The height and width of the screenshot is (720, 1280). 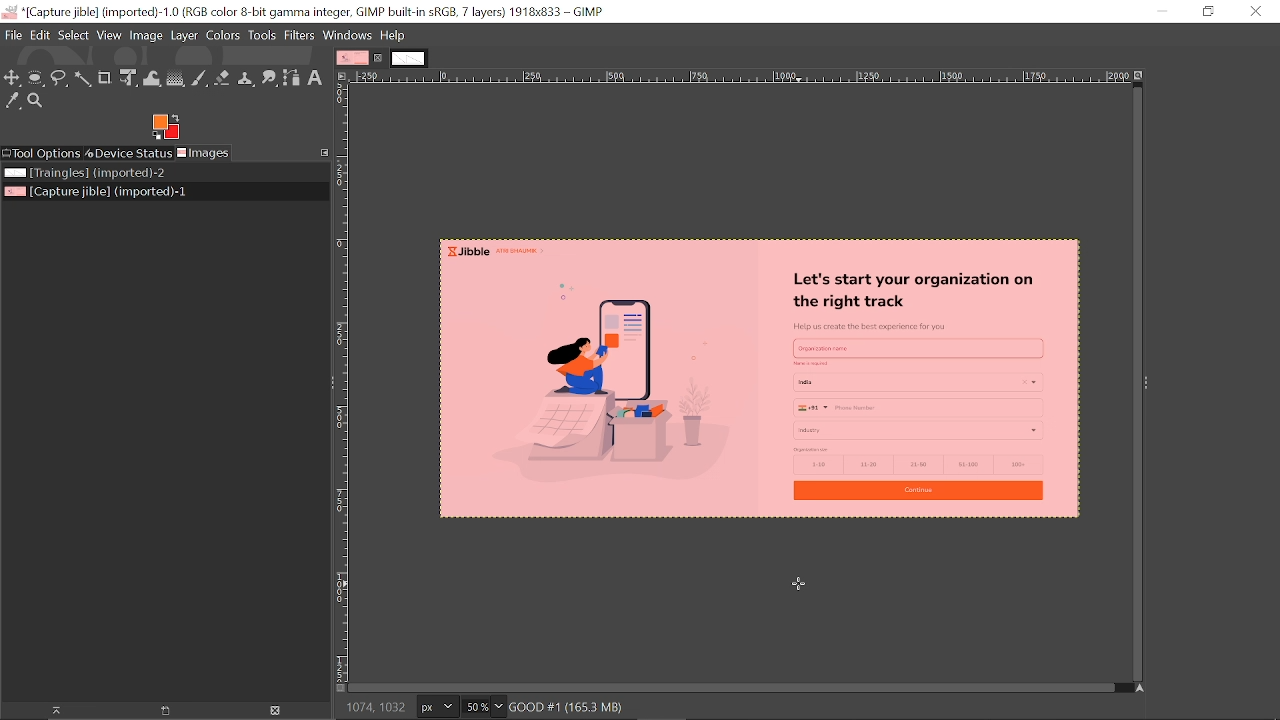 What do you see at coordinates (393, 35) in the screenshot?
I see `` at bounding box center [393, 35].